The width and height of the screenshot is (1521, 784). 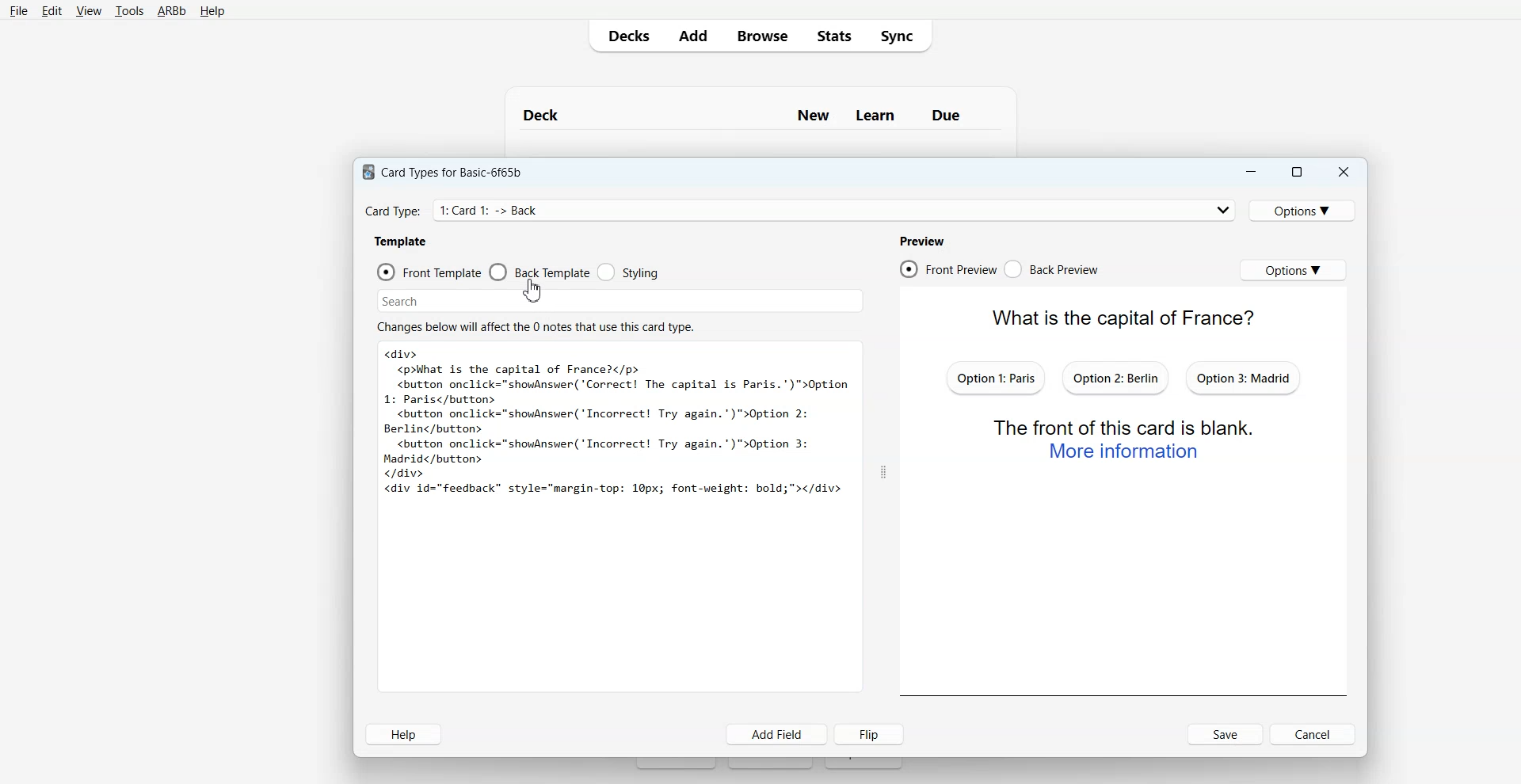 What do you see at coordinates (996, 377) in the screenshot?
I see `Option 1: Paris` at bounding box center [996, 377].